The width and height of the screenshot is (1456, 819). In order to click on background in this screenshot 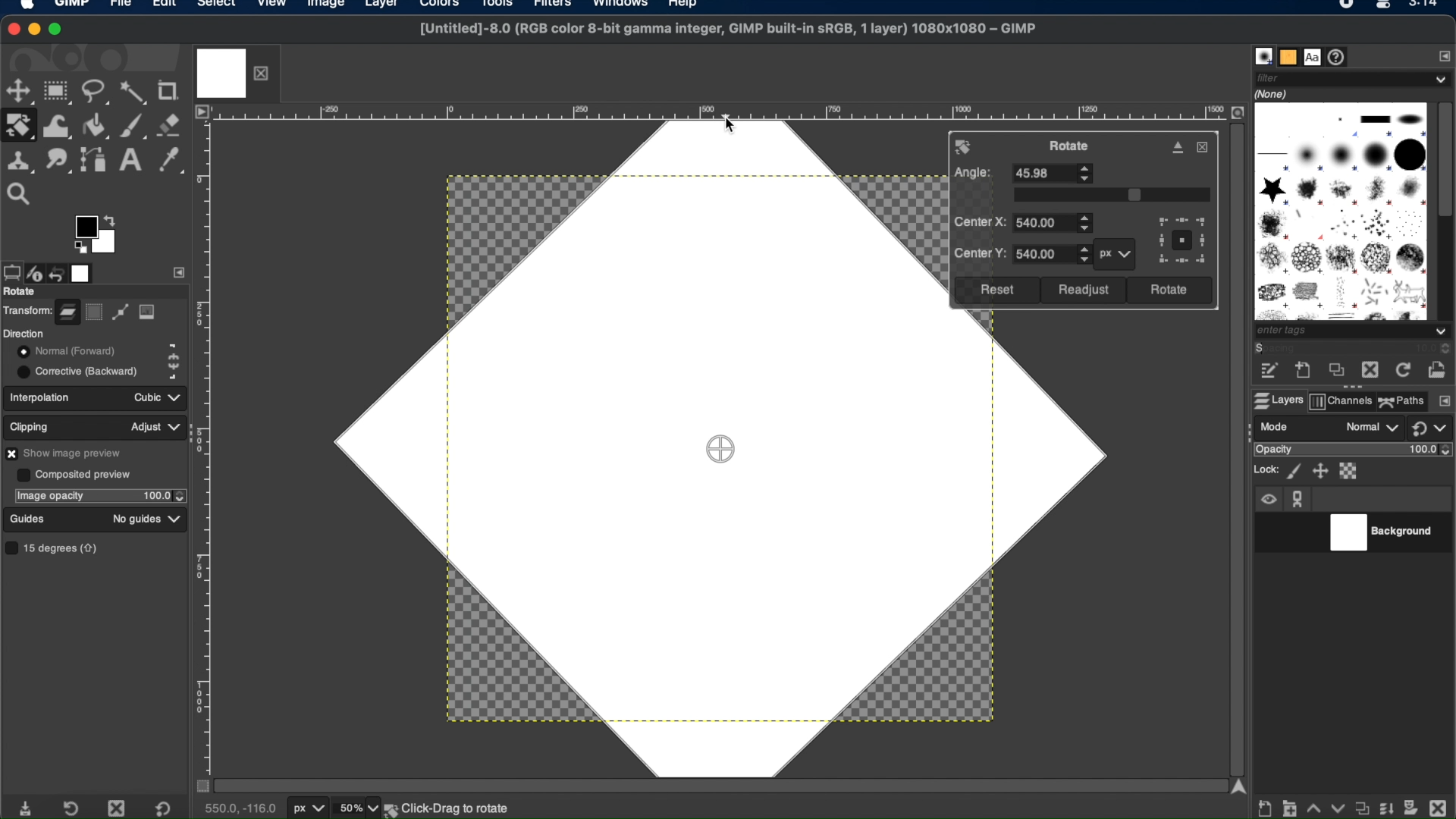, I will do `click(458, 808)`.